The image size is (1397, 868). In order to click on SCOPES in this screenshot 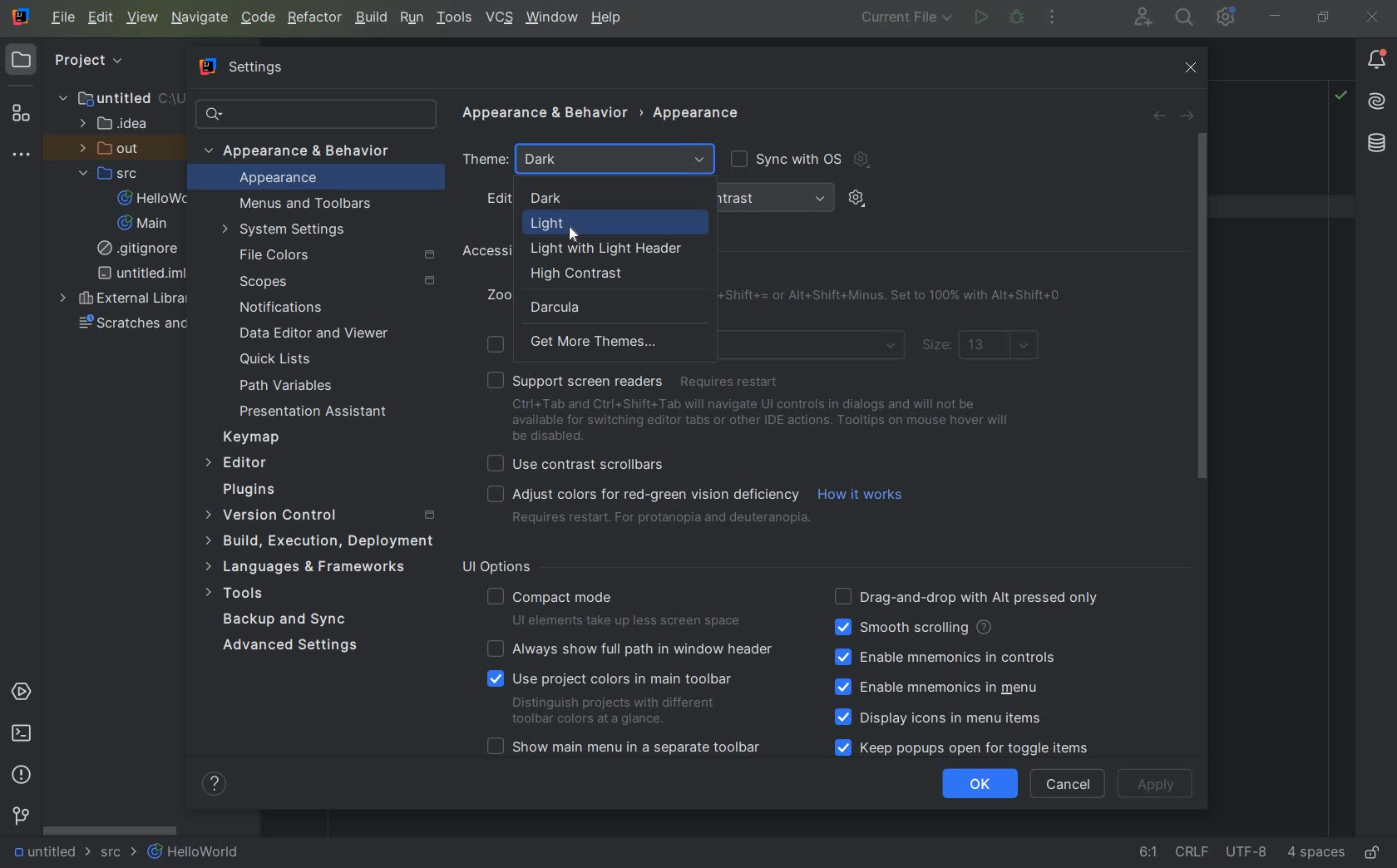, I will do `click(336, 282)`.